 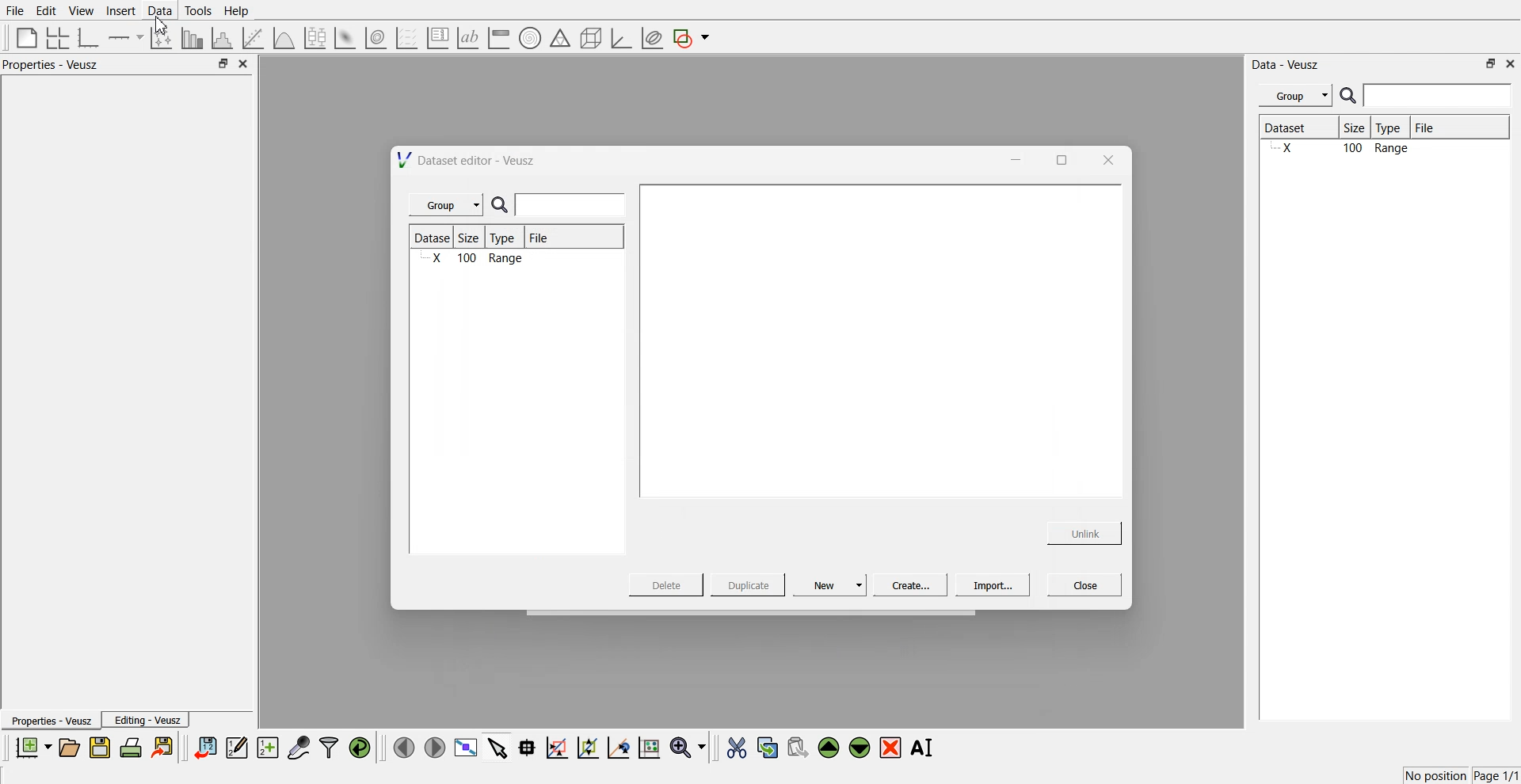 I want to click on close, so click(x=1107, y=159).